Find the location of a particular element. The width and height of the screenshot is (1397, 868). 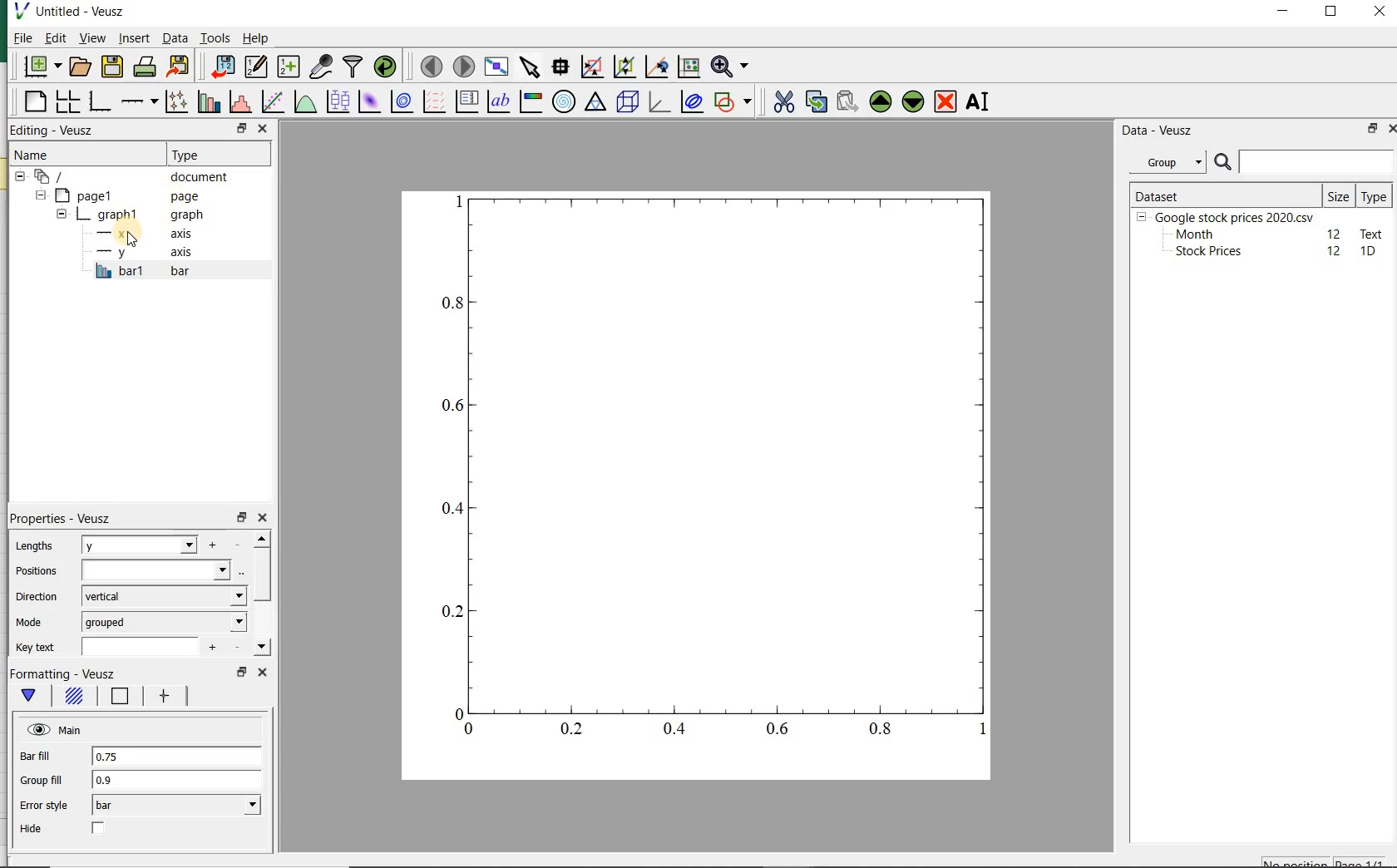

positions is located at coordinates (36, 571).